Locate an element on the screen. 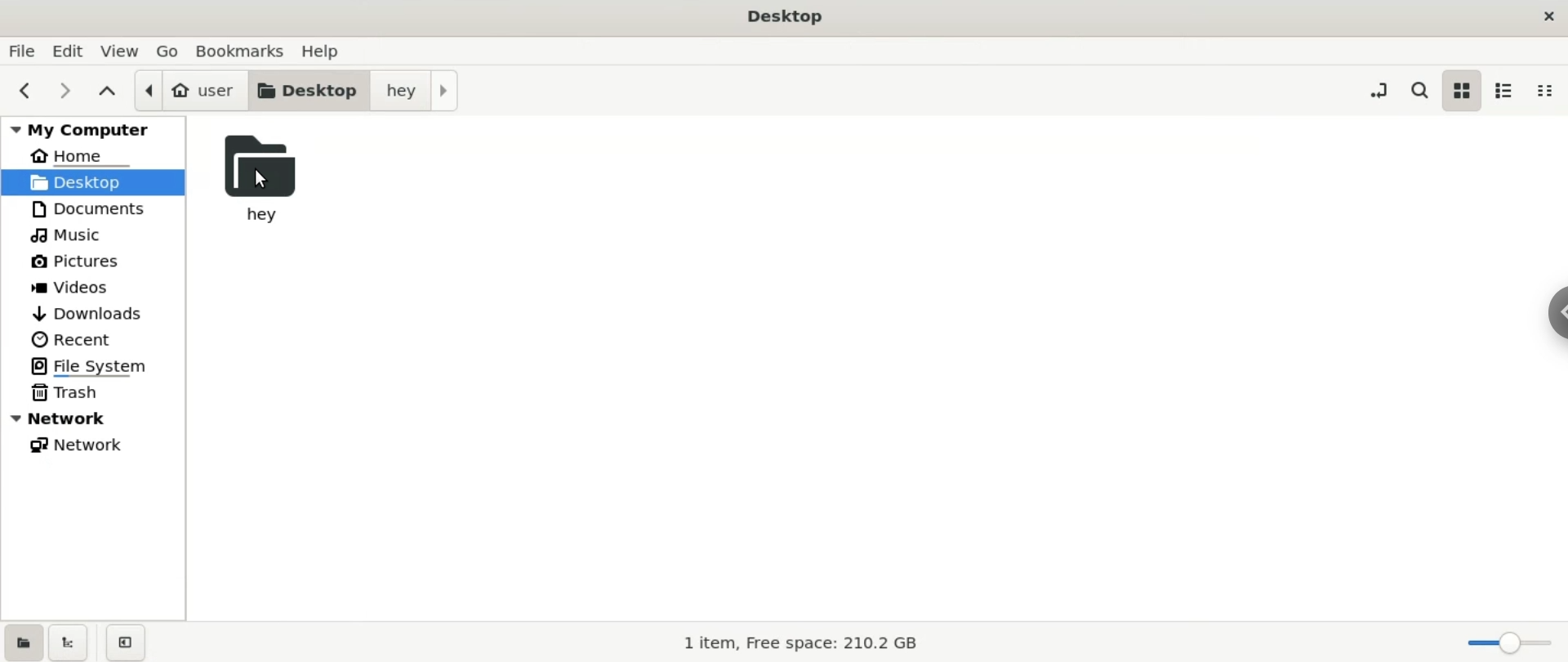  Sidebar is located at coordinates (1554, 314).